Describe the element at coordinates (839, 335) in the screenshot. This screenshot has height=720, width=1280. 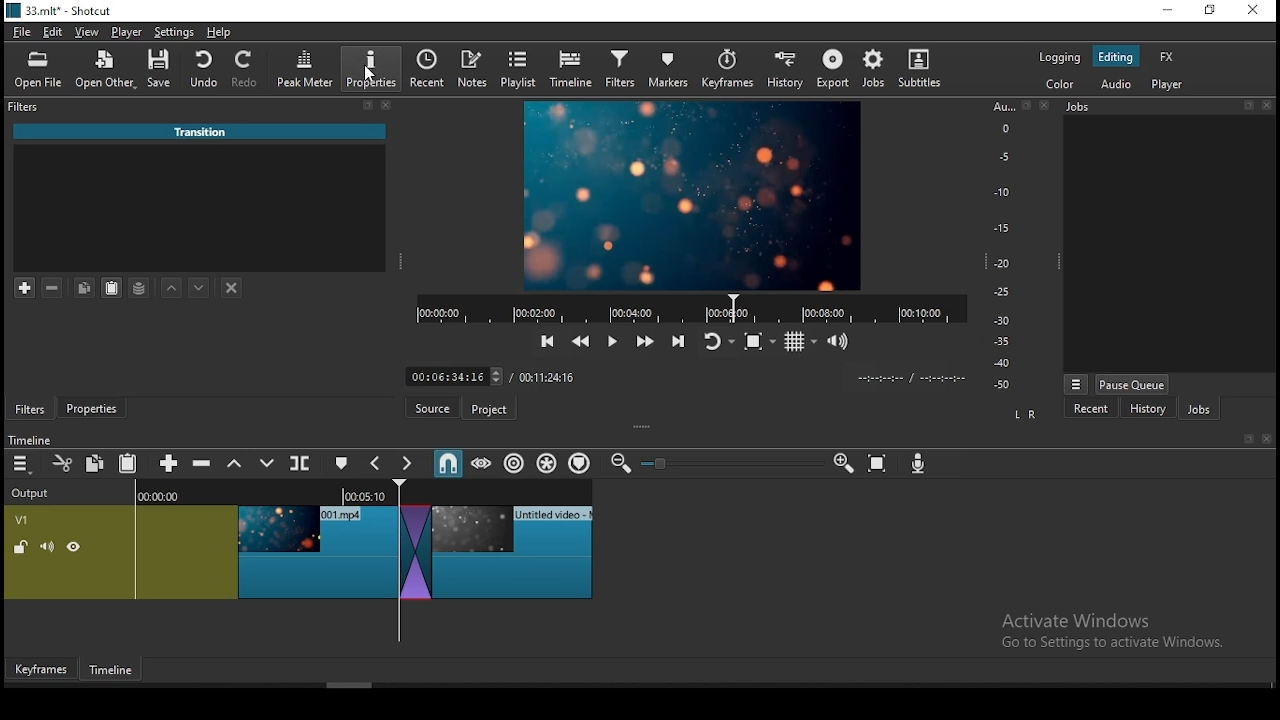
I see `show video volume control` at that location.